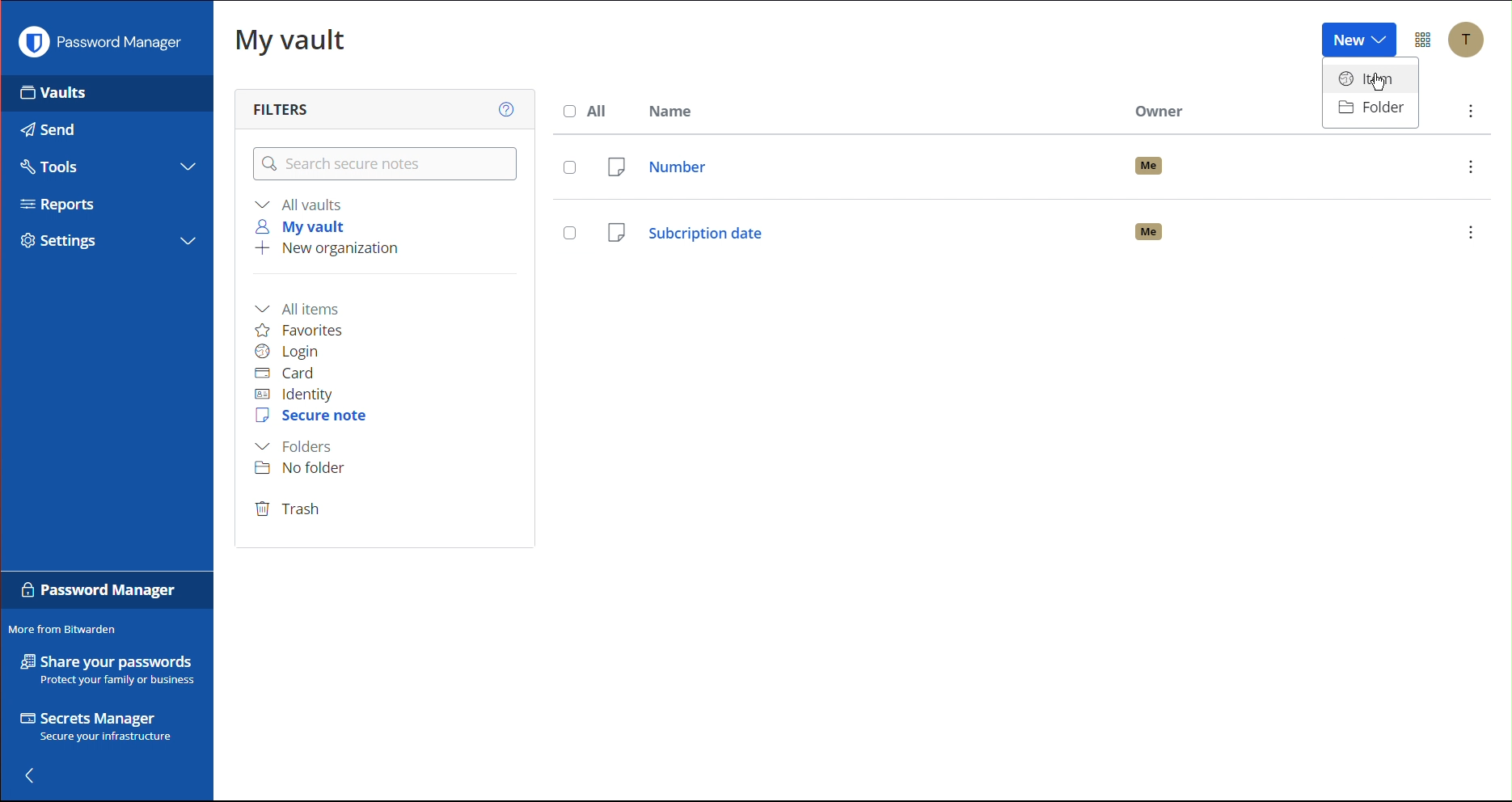 This screenshot has height=802, width=1512. I want to click on Help, so click(502, 108).